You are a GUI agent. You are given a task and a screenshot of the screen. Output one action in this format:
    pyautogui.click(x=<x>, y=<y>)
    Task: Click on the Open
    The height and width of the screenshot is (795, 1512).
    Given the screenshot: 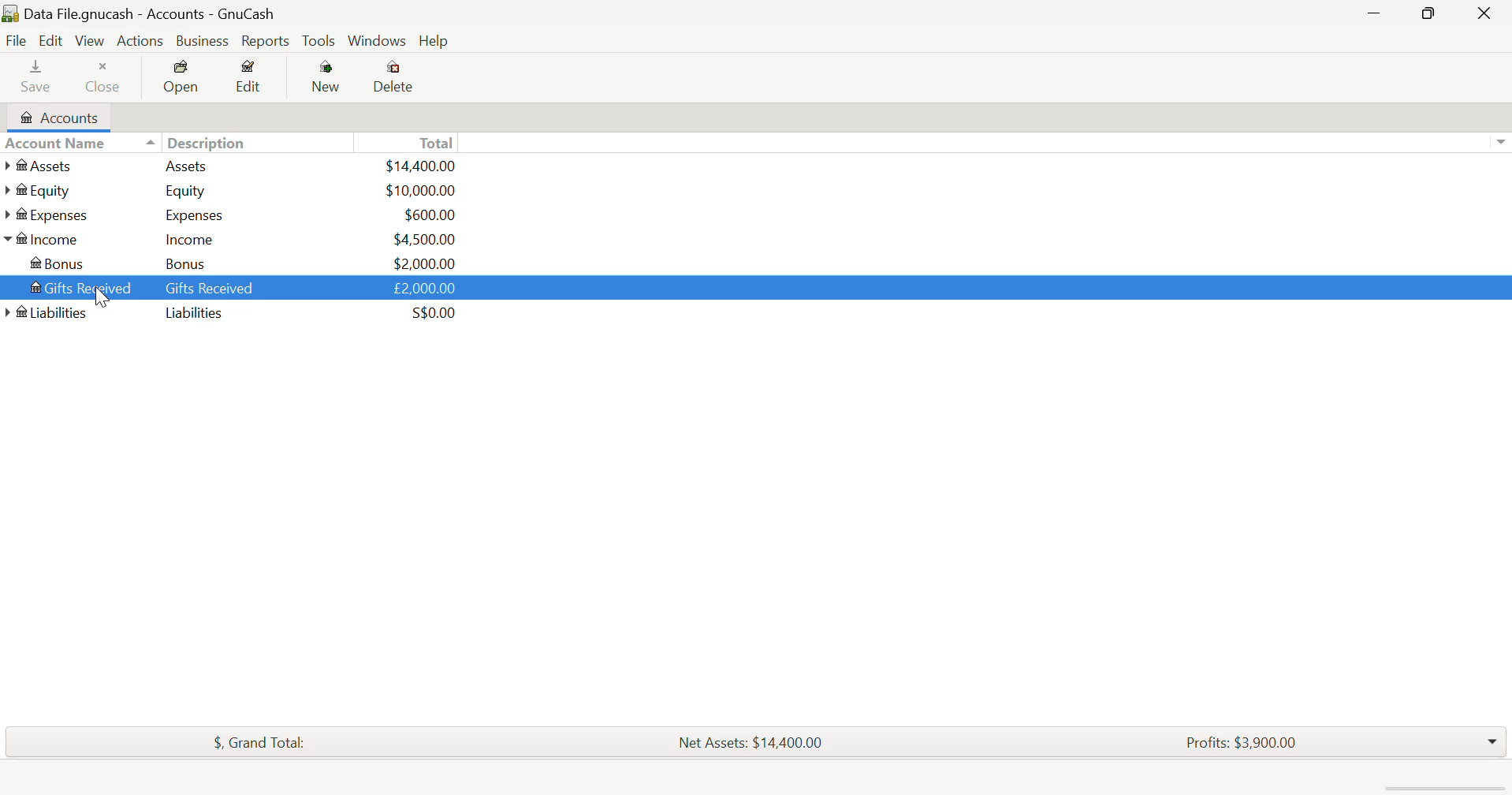 What is the action you would take?
    pyautogui.click(x=182, y=78)
    